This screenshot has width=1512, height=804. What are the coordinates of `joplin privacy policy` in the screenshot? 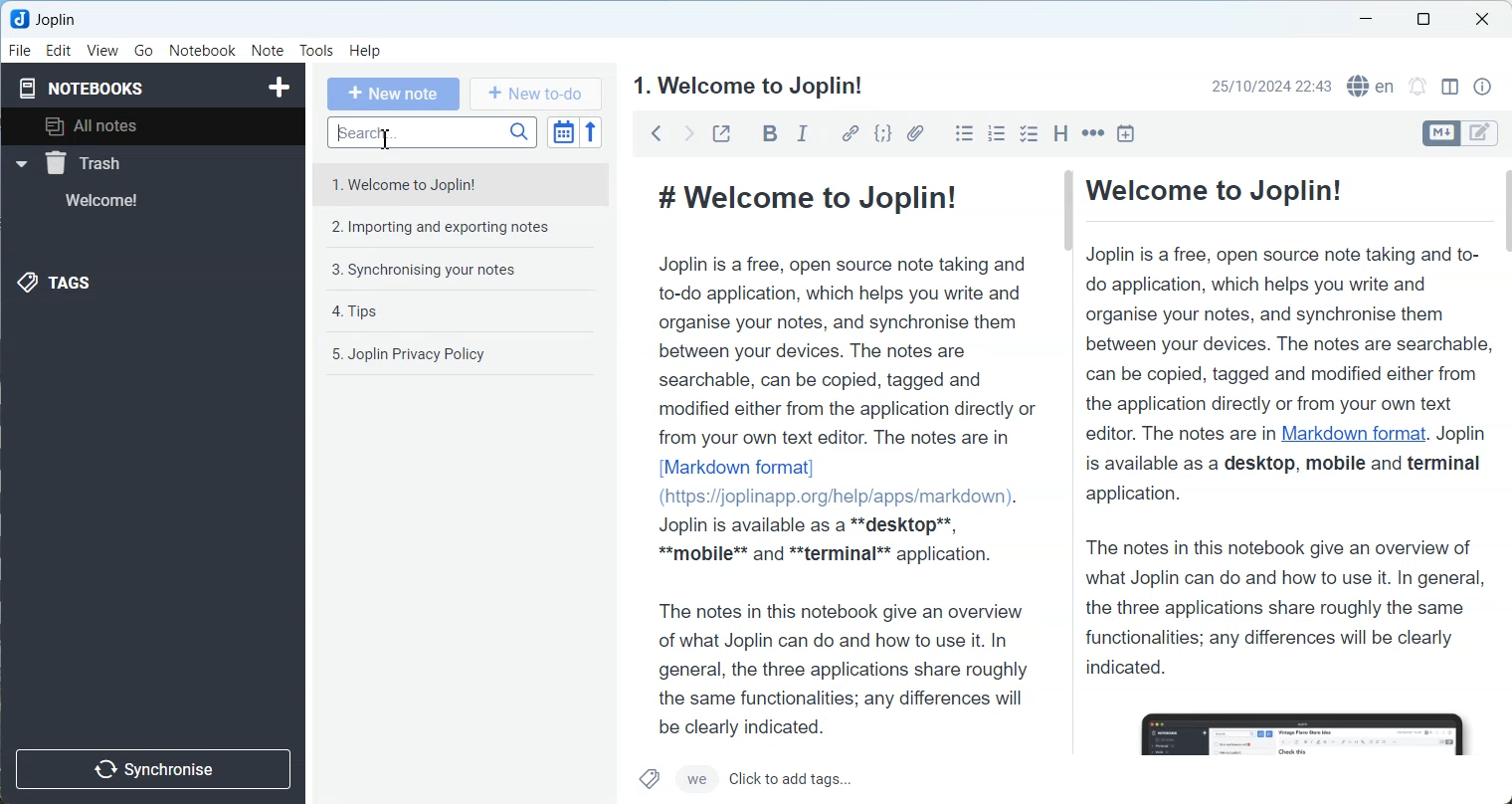 It's located at (466, 353).